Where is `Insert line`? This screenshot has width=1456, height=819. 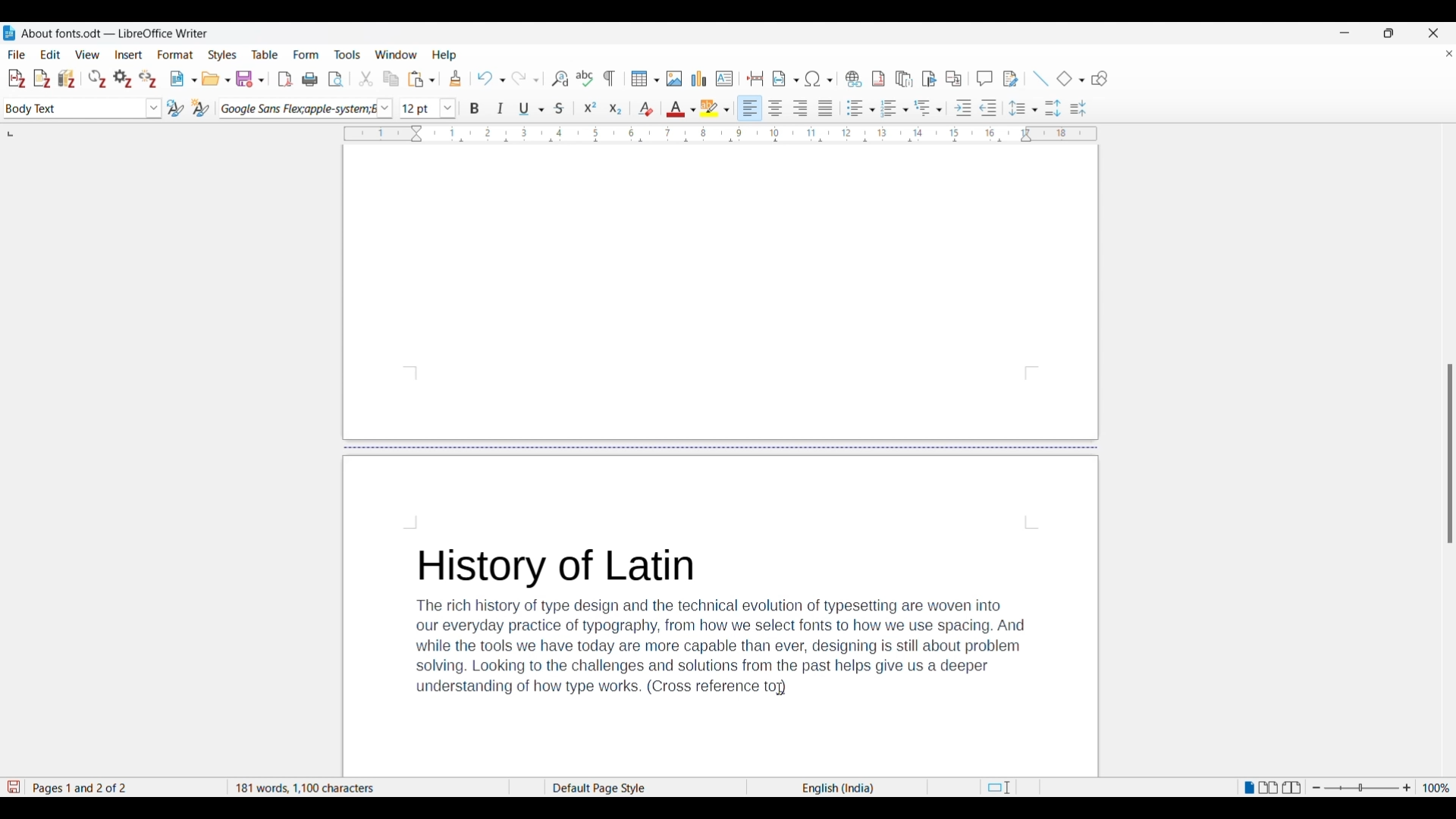 Insert line is located at coordinates (1040, 79).